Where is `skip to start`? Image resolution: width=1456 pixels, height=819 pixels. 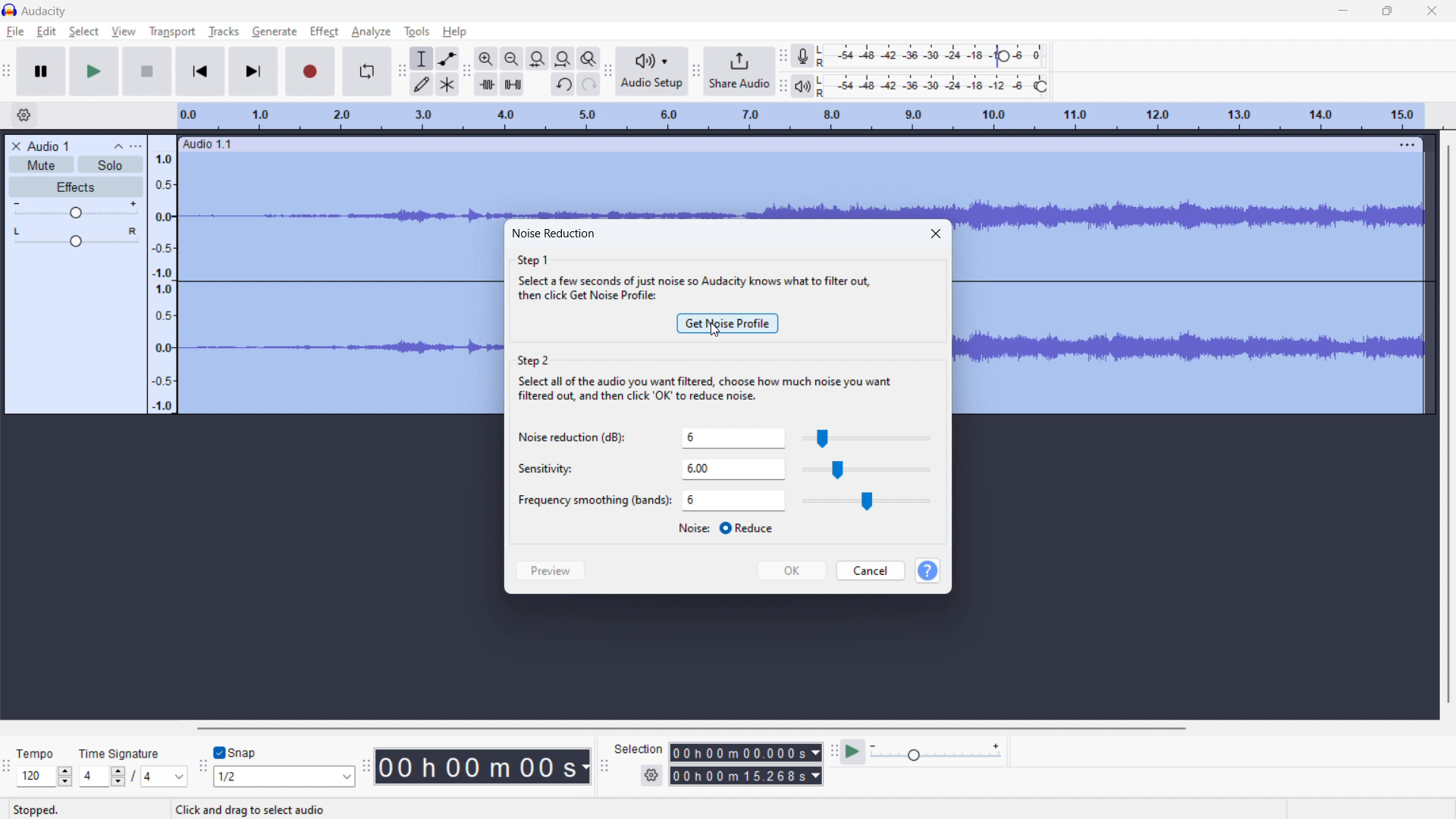 skip to start is located at coordinates (199, 71).